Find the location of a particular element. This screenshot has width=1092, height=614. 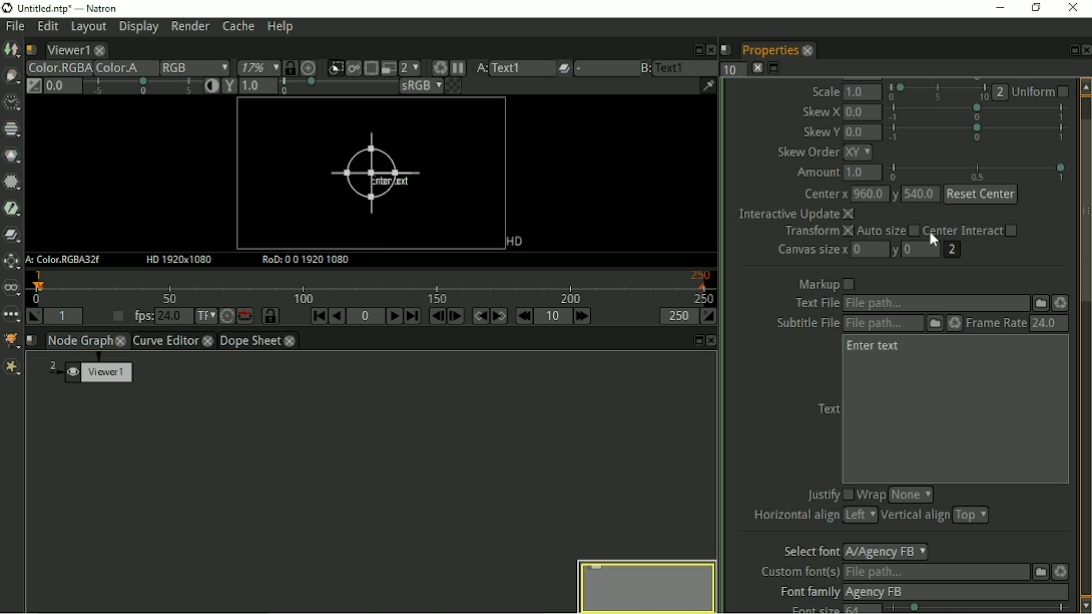

Image is located at coordinates (12, 51).